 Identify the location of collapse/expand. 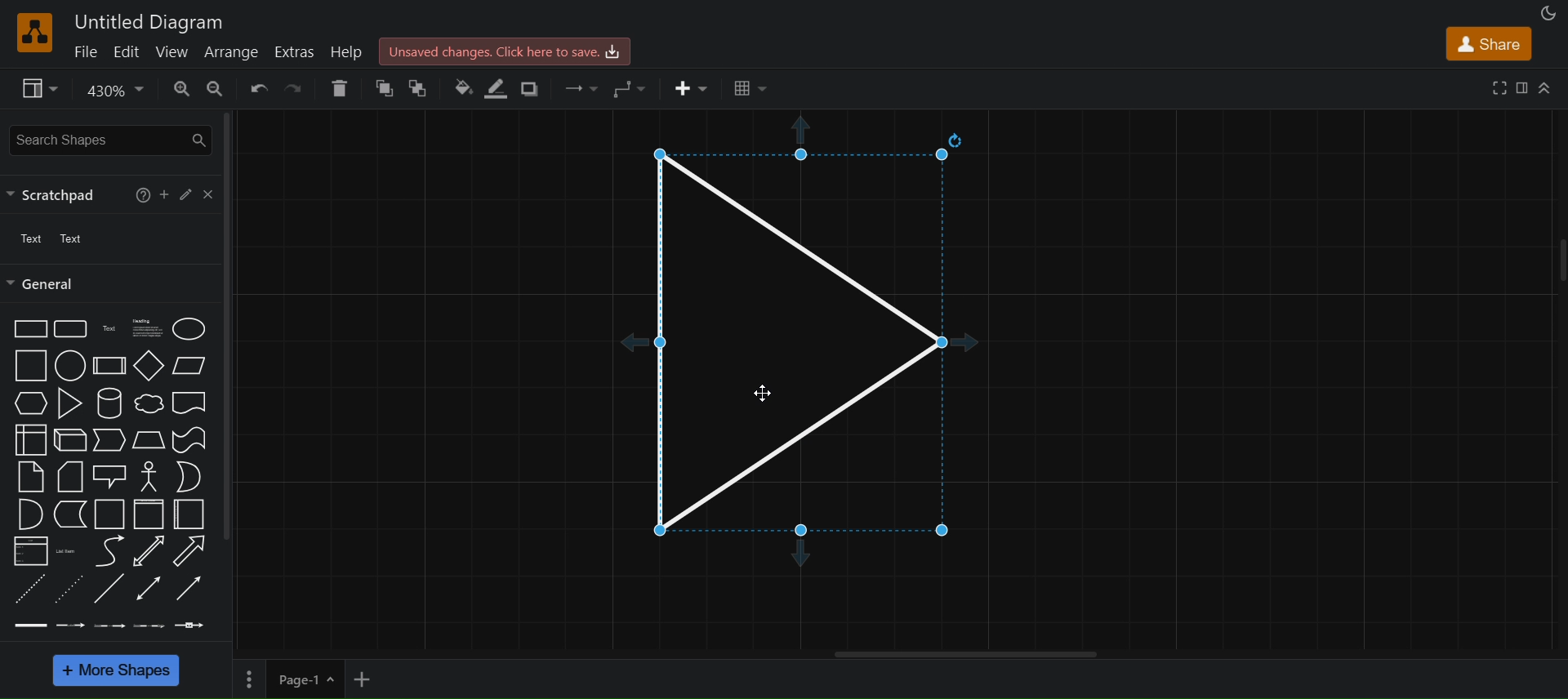
(1547, 90).